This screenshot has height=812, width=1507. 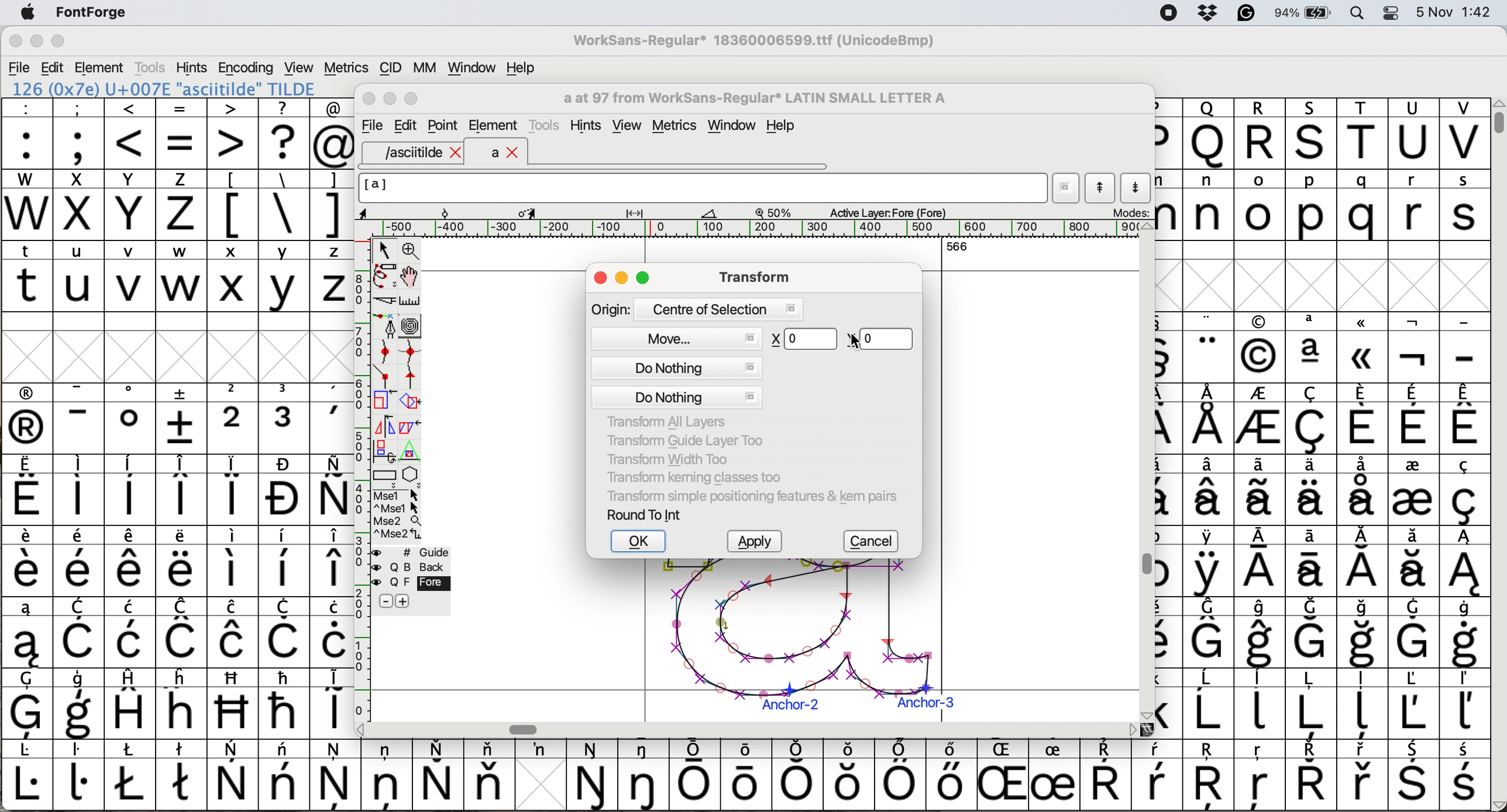 I want to click on symbol, so click(x=1262, y=633).